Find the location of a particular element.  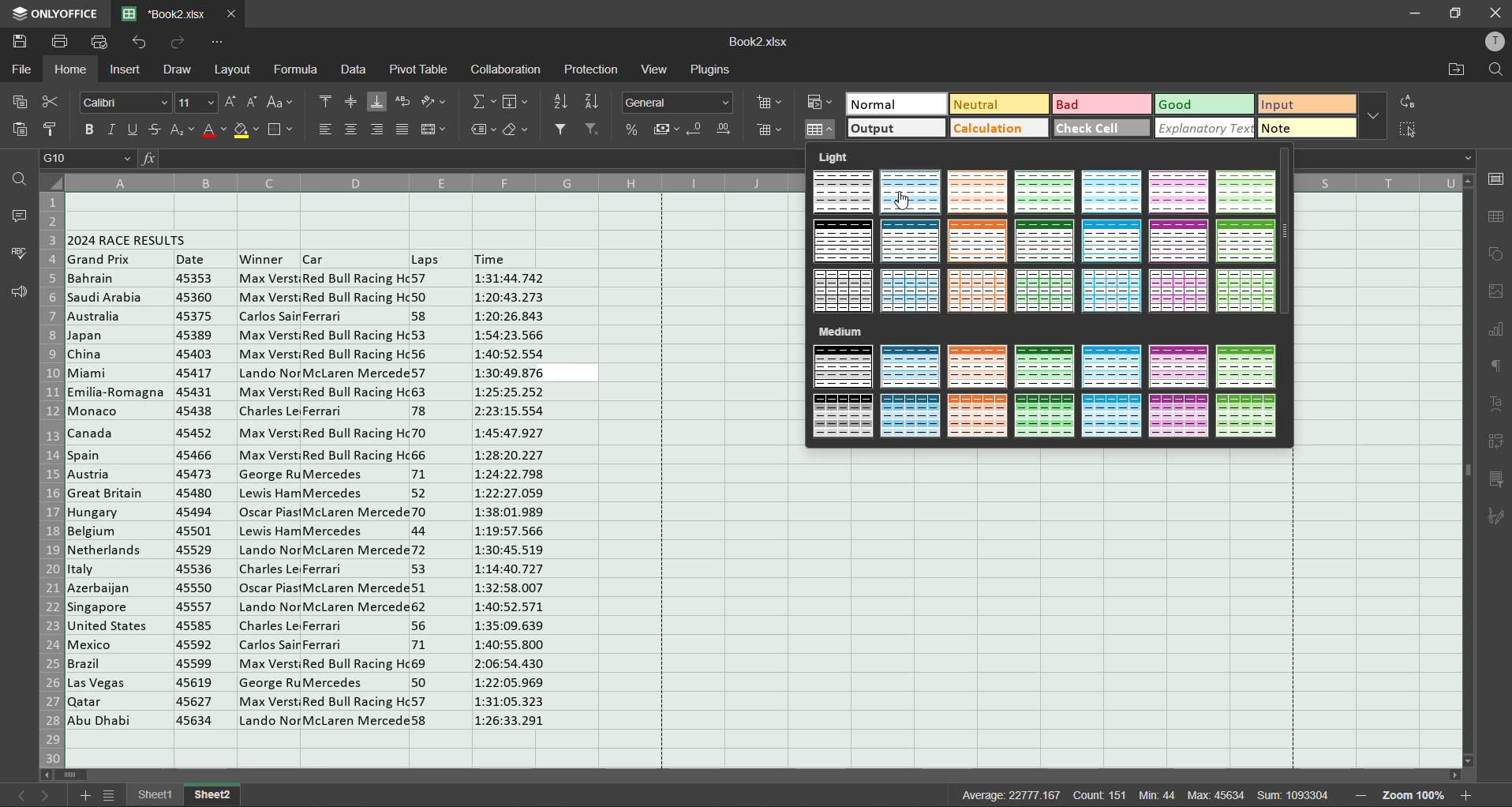

fields is located at coordinates (515, 103).